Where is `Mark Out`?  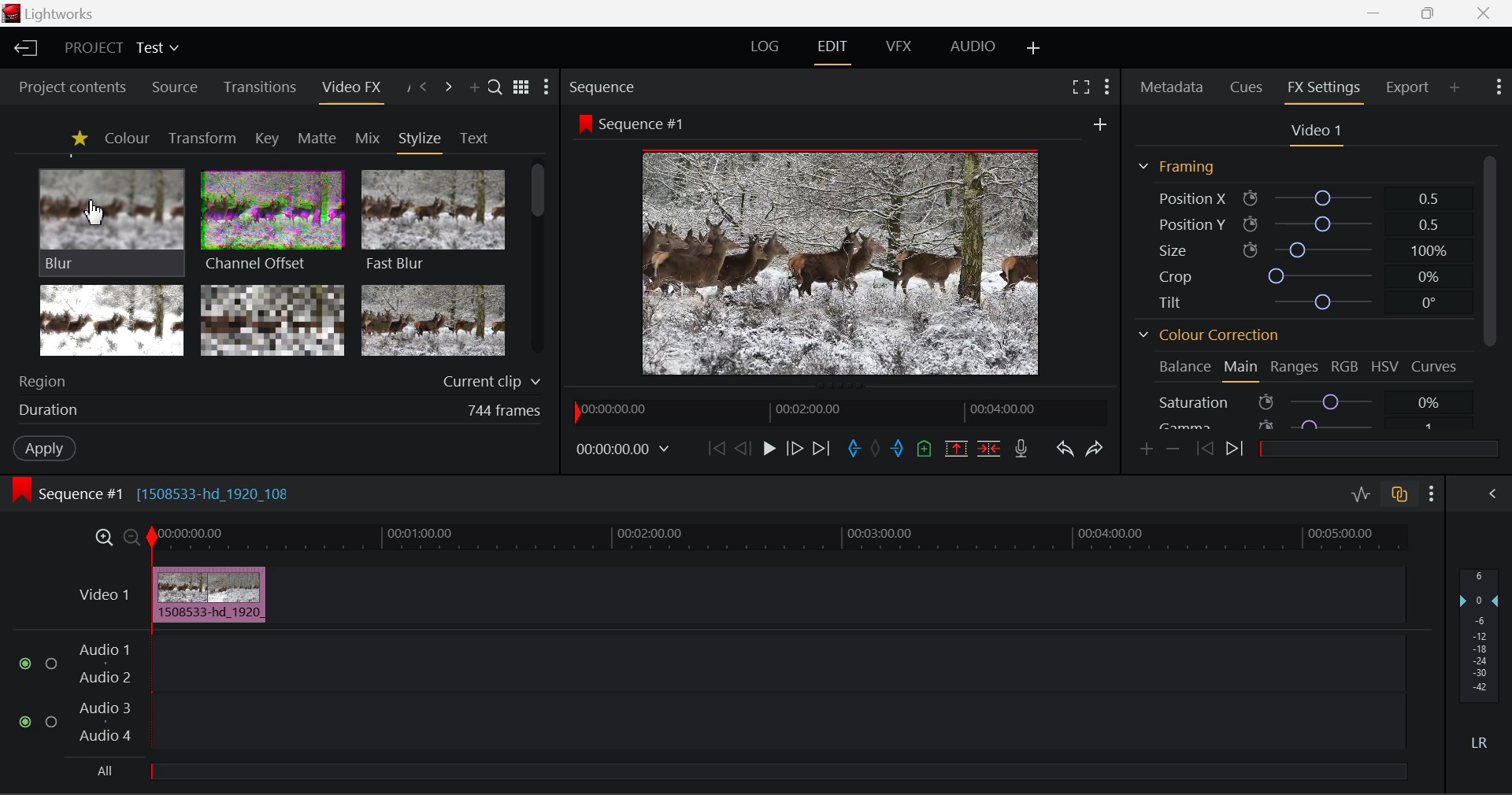 Mark Out is located at coordinates (898, 445).